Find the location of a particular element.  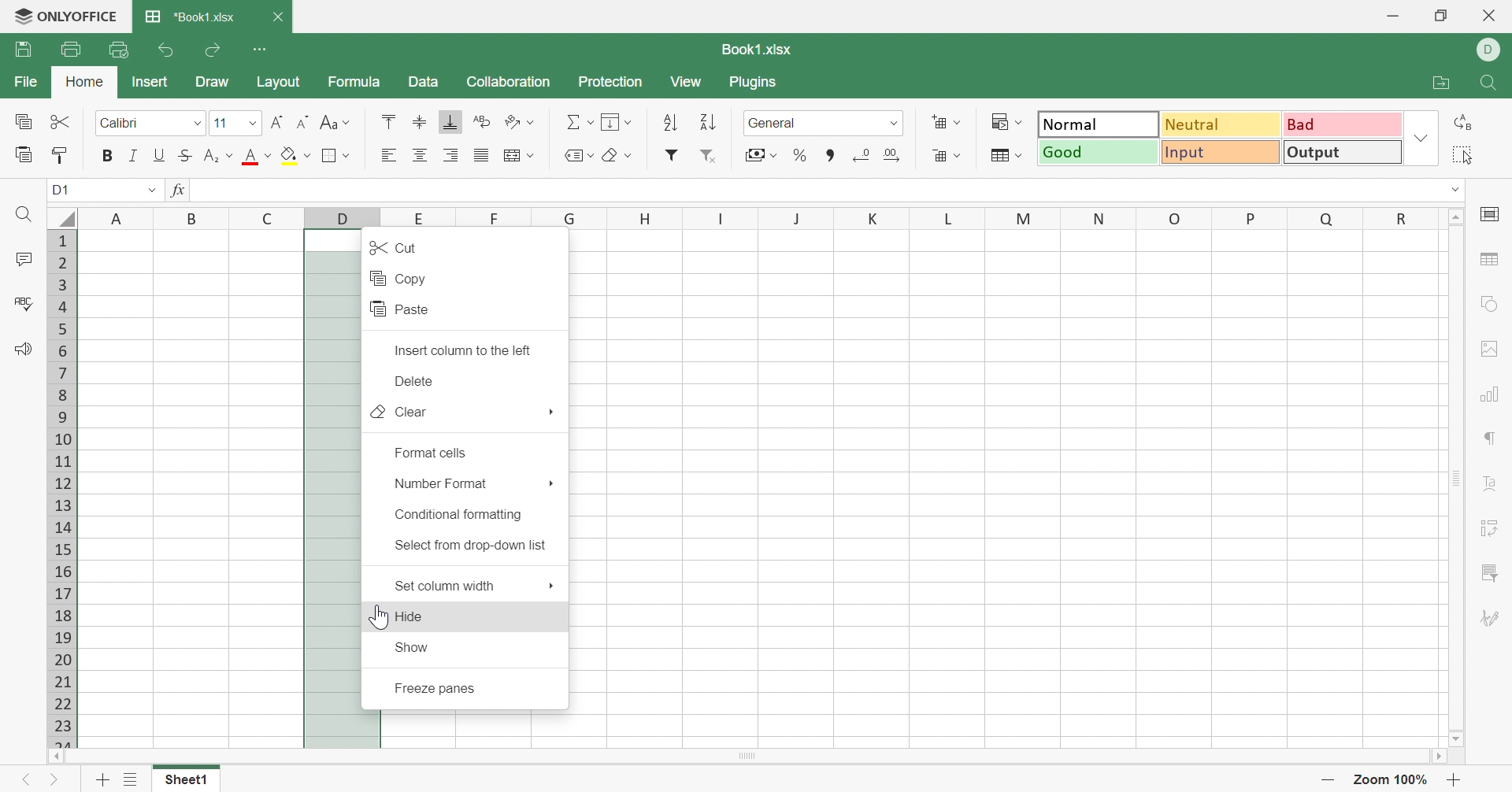

Cut is located at coordinates (61, 124).